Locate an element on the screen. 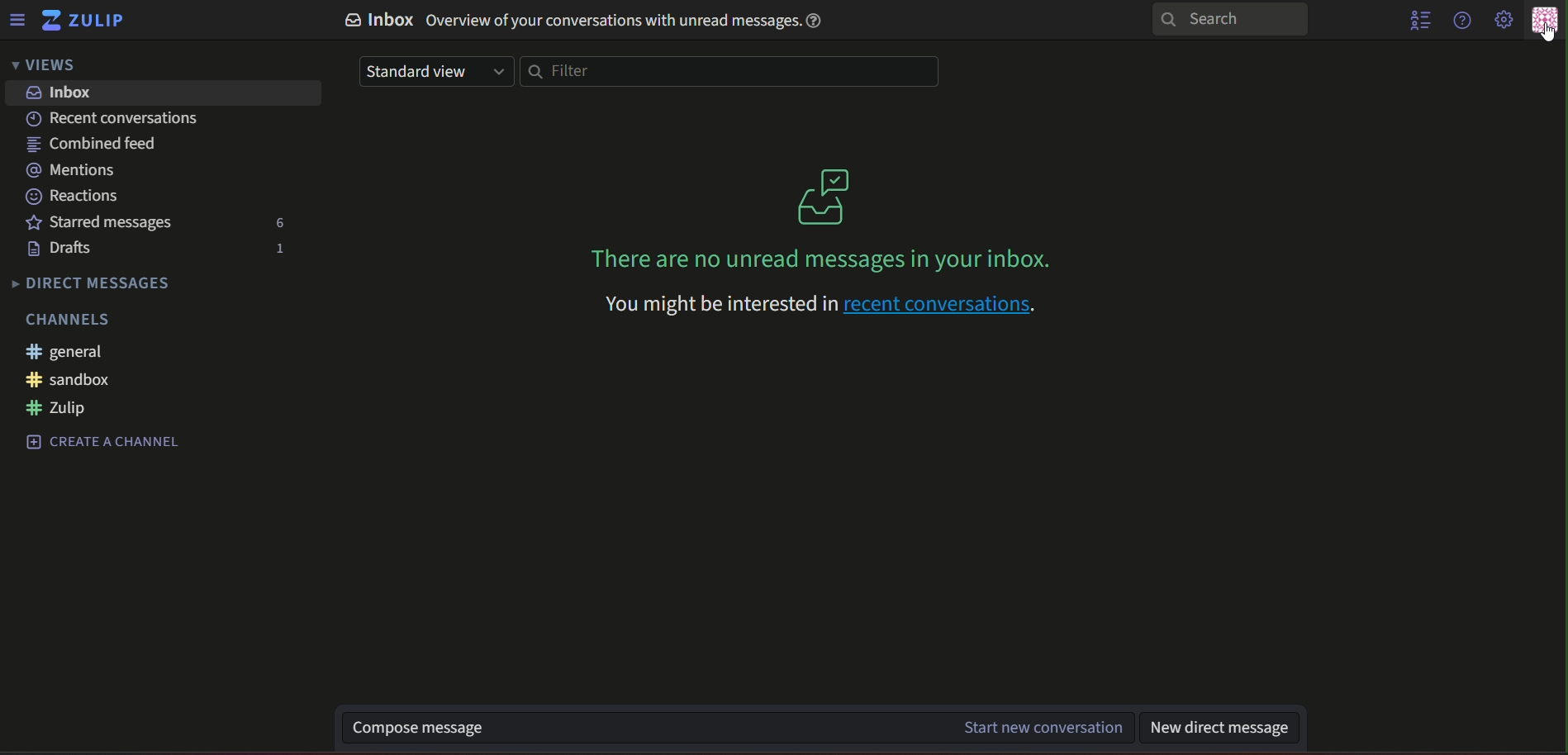  zulip is located at coordinates (88, 20).